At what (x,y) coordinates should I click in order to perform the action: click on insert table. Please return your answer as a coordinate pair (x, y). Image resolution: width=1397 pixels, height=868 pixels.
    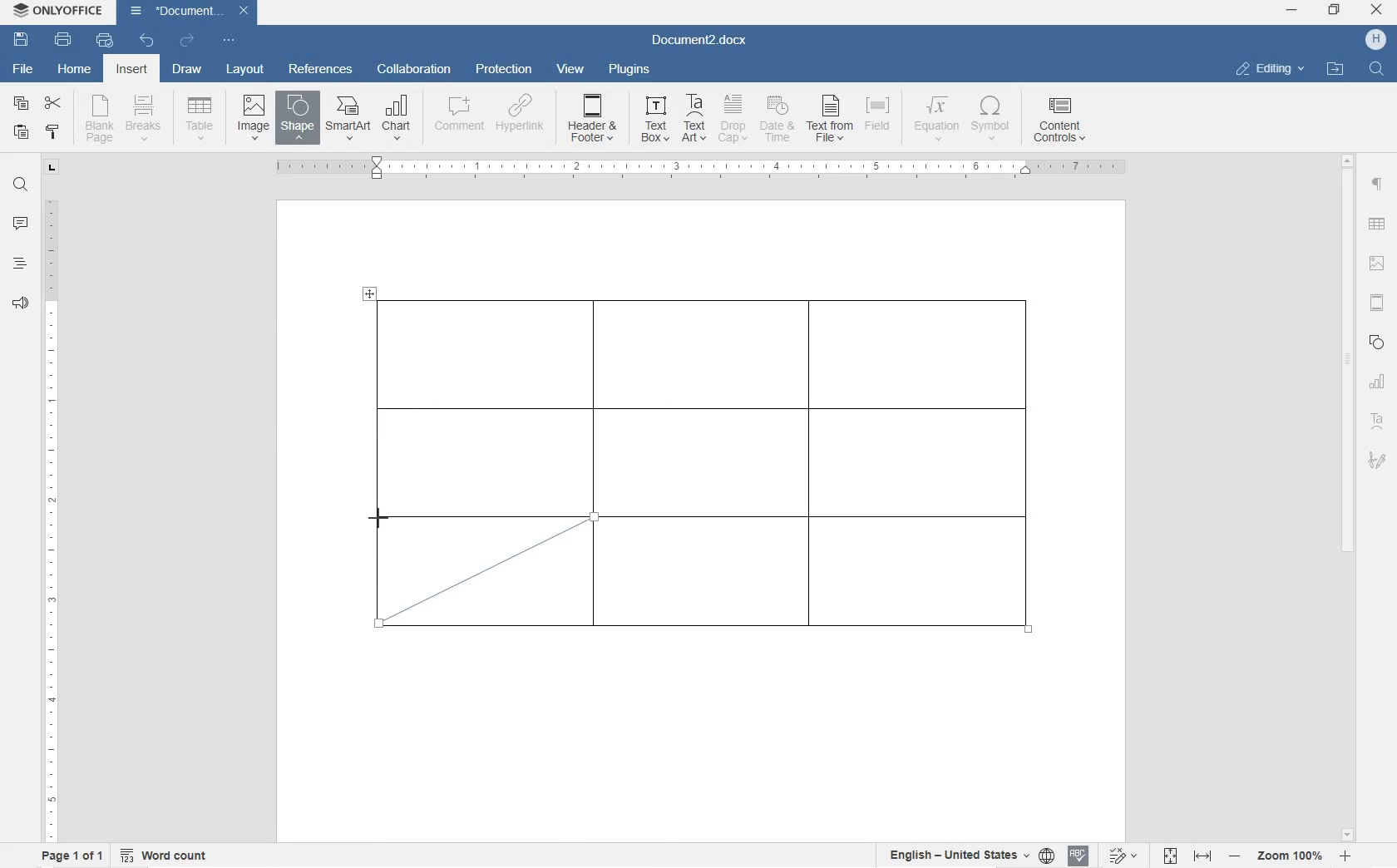
    Looking at the image, I should click on (196, 118).